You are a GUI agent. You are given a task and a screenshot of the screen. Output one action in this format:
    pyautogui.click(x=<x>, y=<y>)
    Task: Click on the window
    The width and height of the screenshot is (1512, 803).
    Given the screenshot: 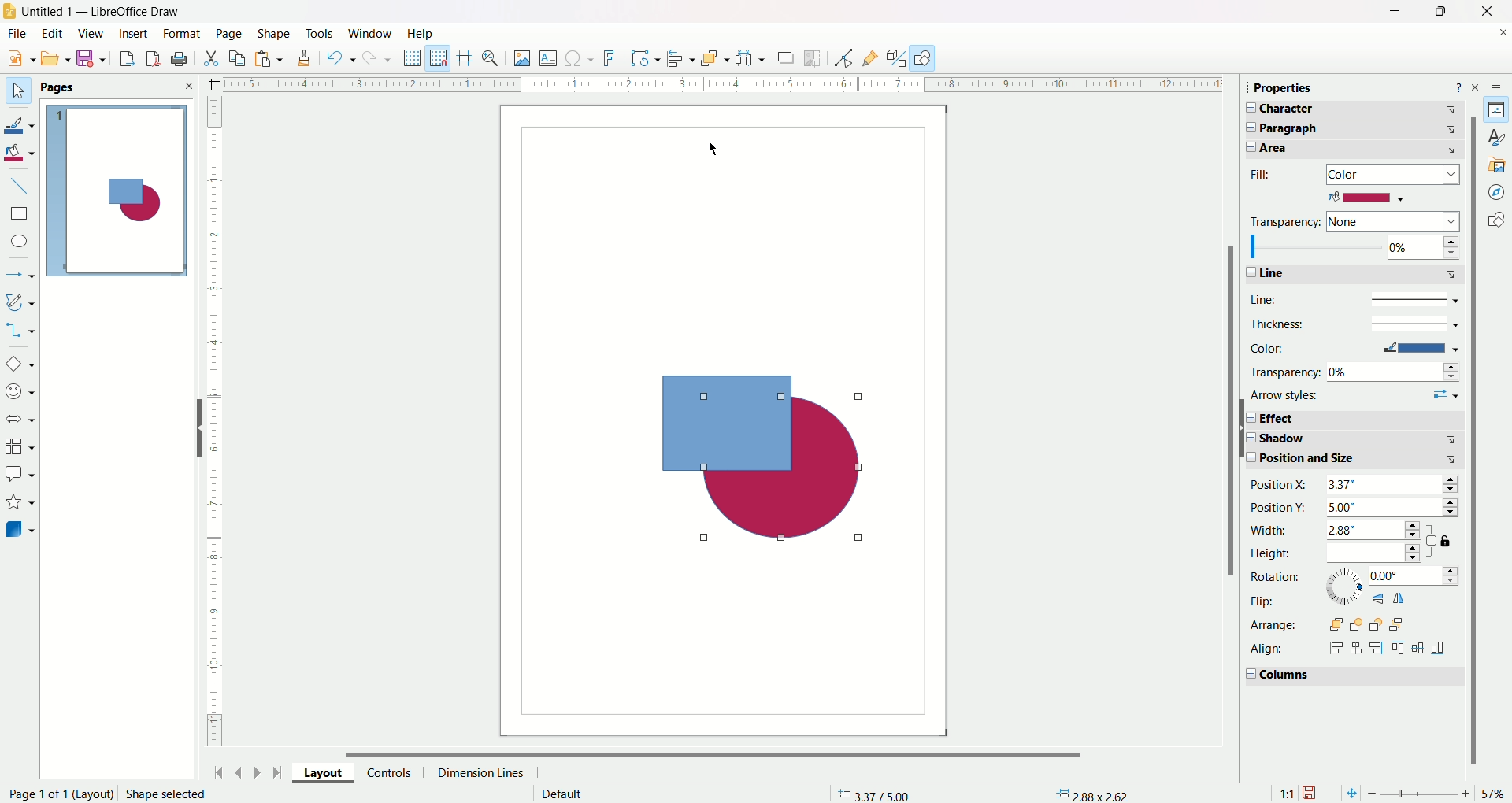 What is the action you would take?
    pyautogui.click(x=372, y=32)
    